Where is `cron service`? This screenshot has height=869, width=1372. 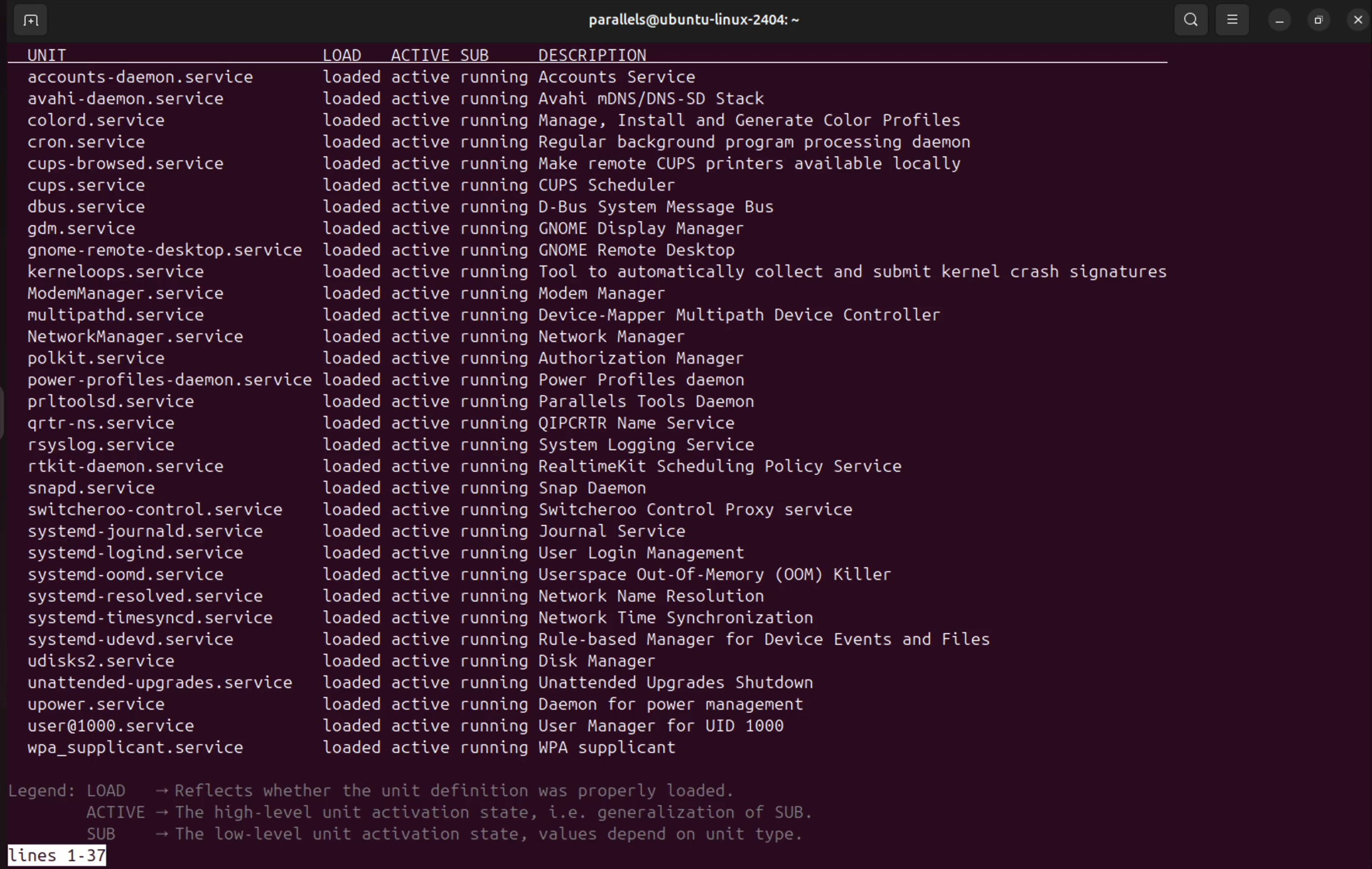
cron service is located at coordinates (110, 144).